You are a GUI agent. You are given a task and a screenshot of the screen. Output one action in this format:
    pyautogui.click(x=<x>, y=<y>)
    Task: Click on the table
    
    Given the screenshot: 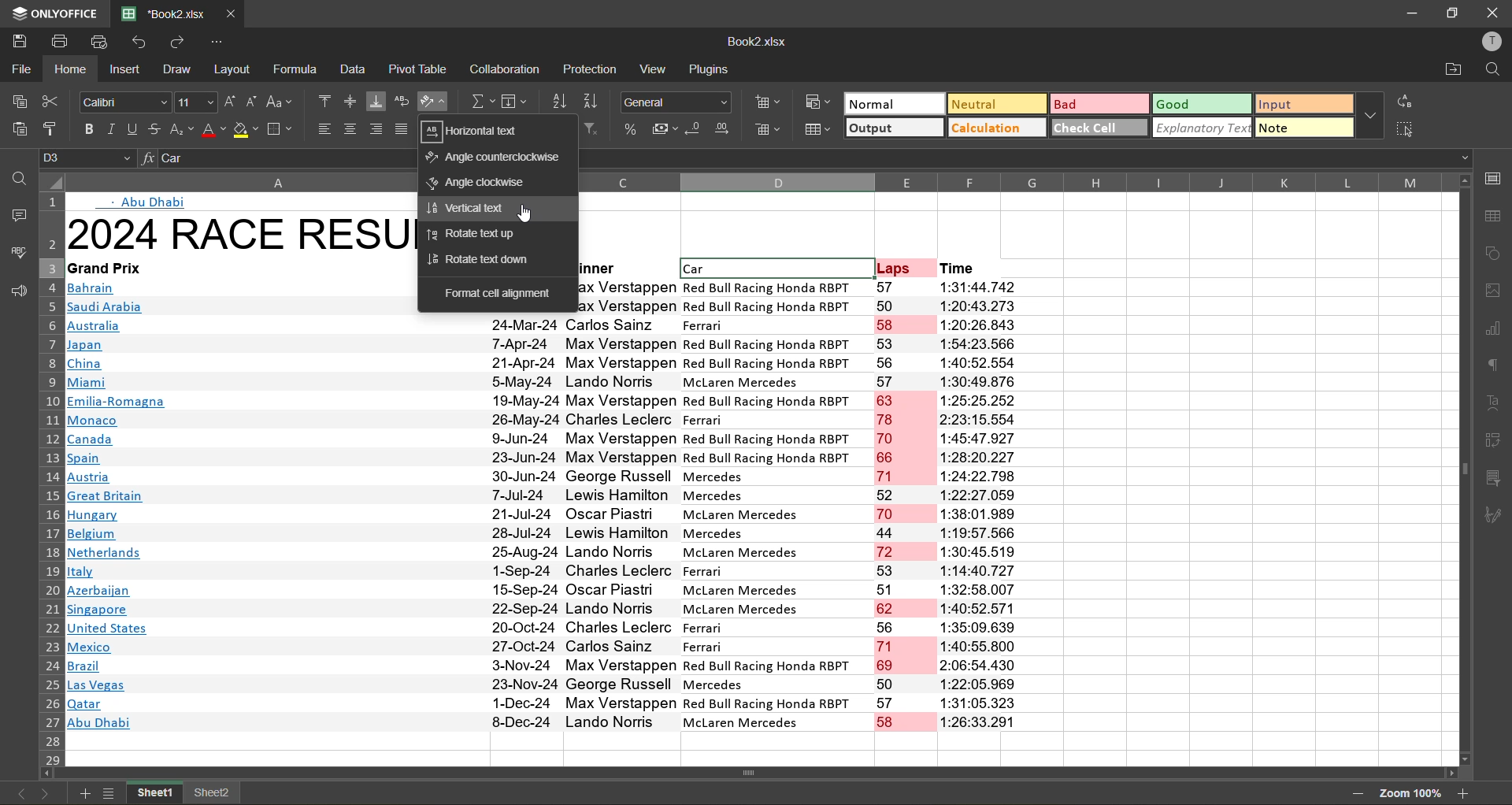 What is the action you would take?
    pyautogui.click(x=1496, y=218)
    